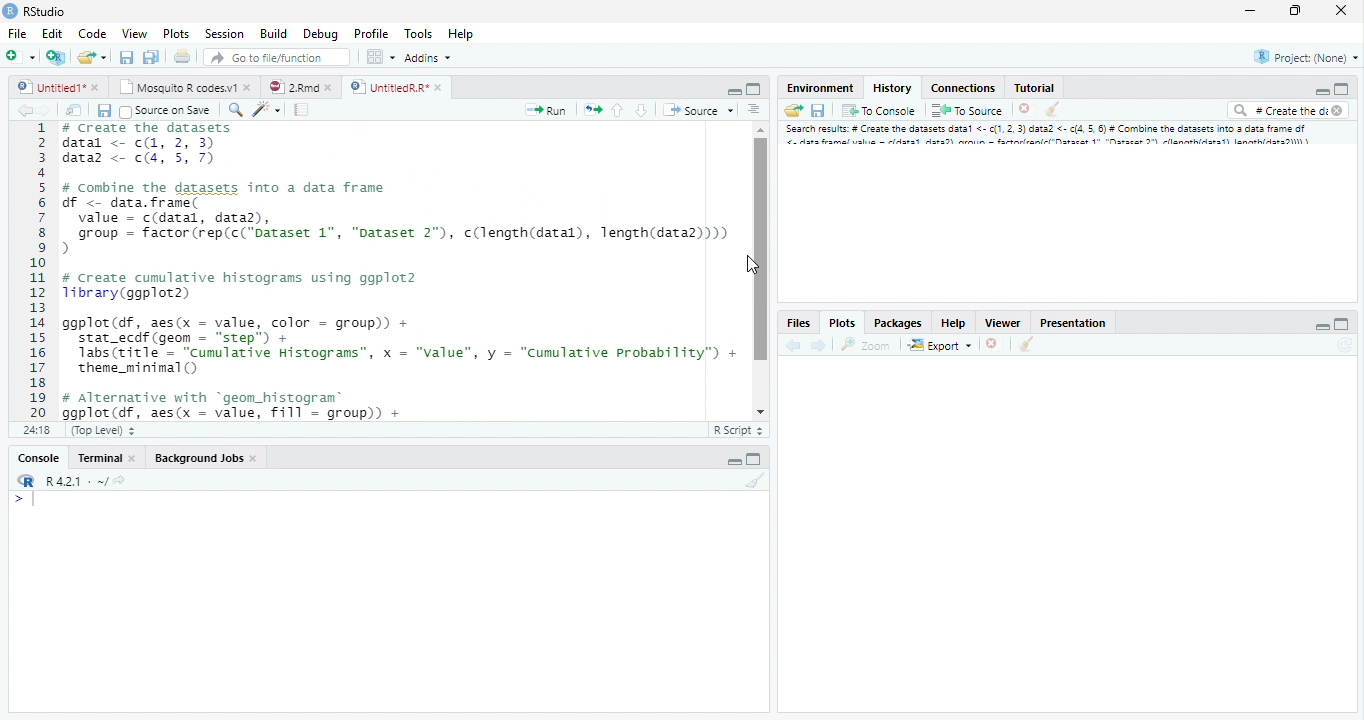 Image resolution: width=1364 pixels, height=720 pixels. Describe the element at coordinates (757, 460) in the screenshot. I see `Maximize` at that location.